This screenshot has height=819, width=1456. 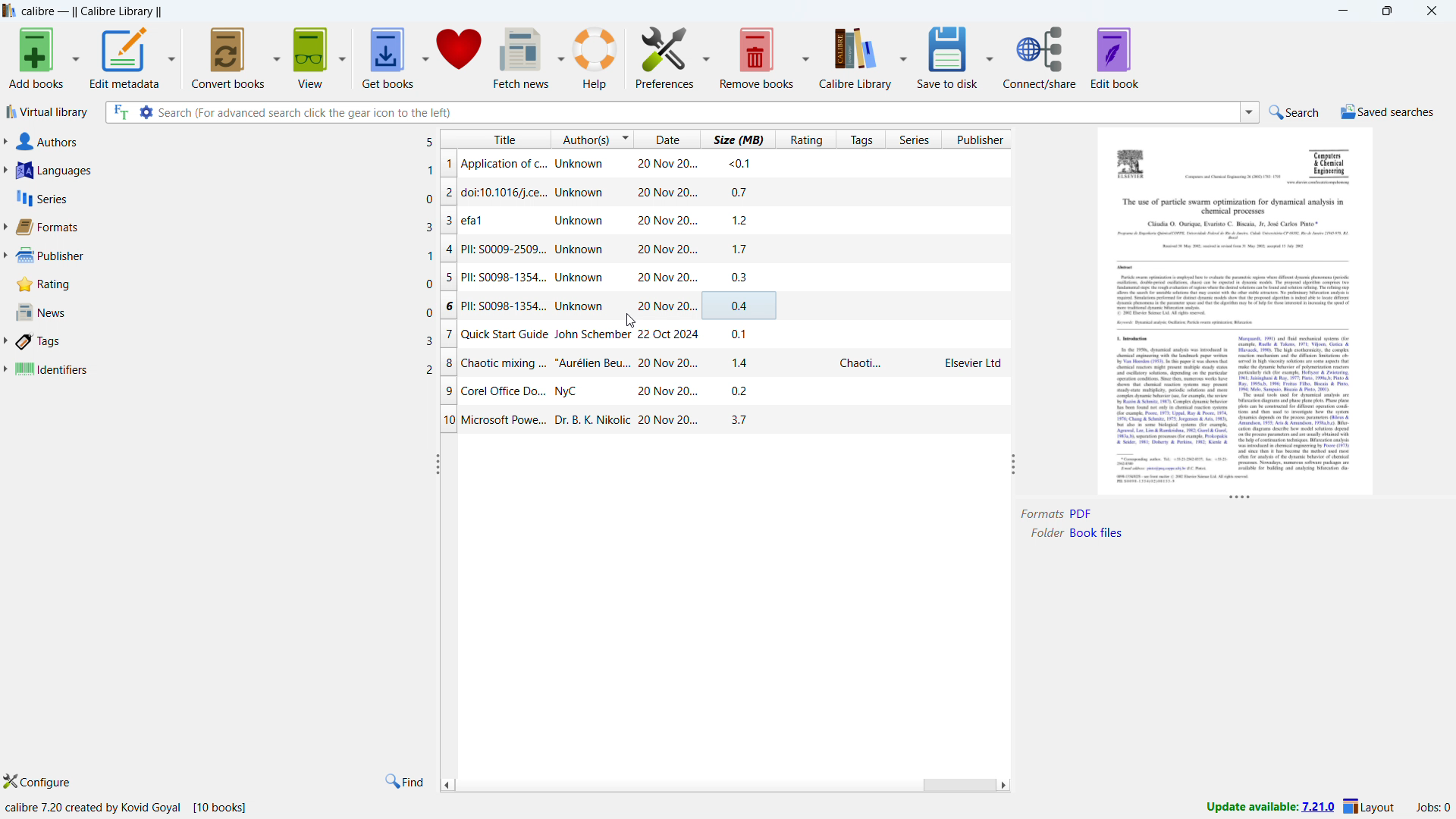 I want to click on 7.21.0, so click(x=1318, y=808).